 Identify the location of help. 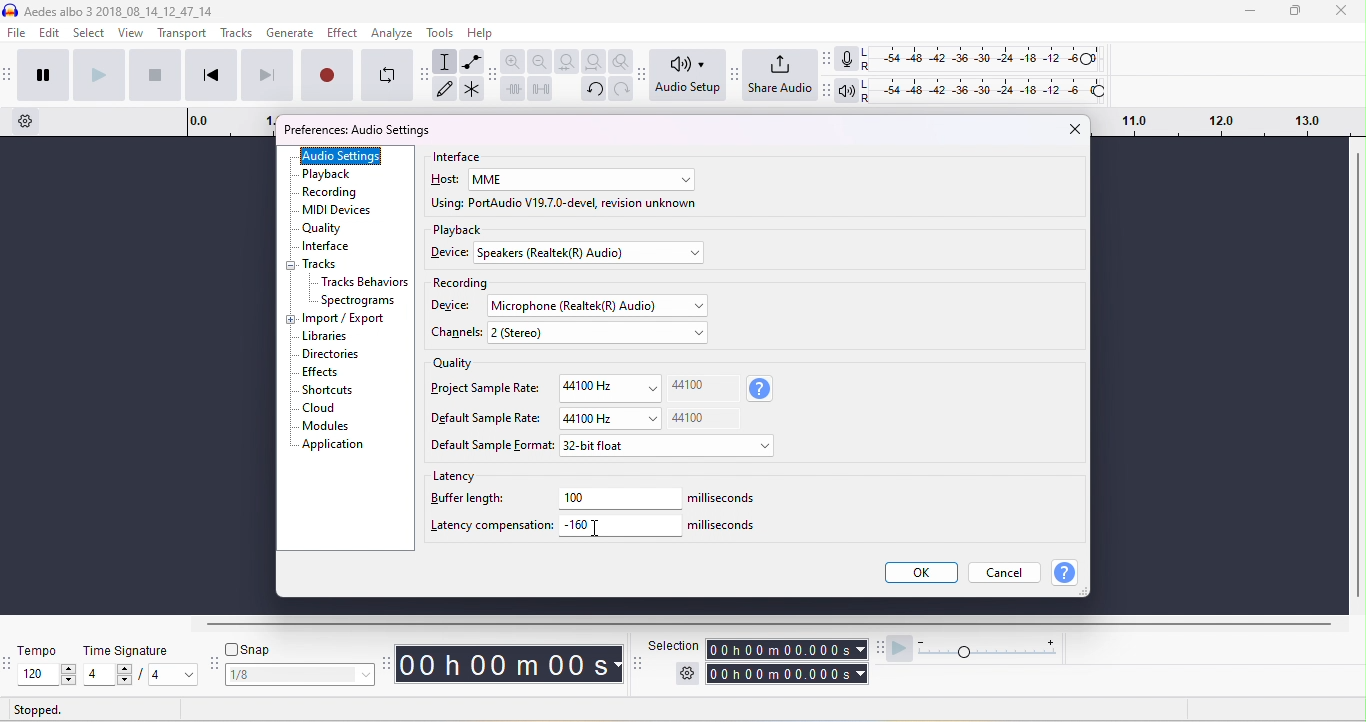
(1066, 573).